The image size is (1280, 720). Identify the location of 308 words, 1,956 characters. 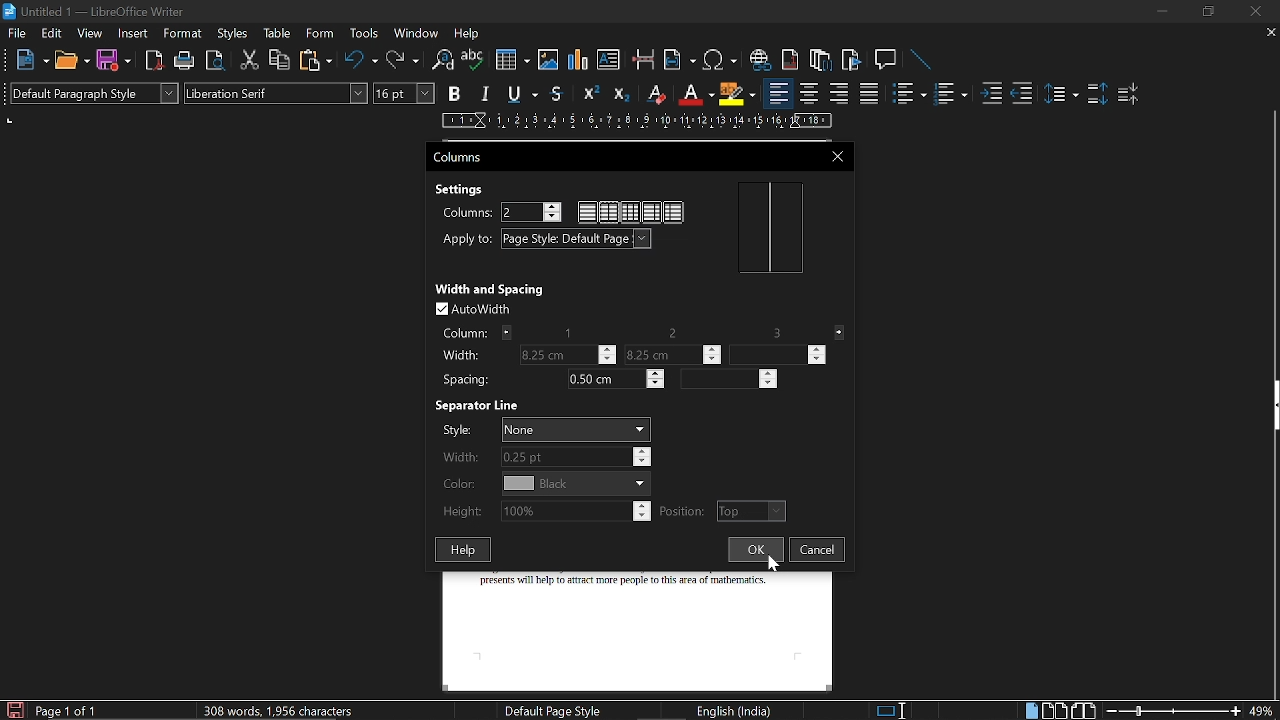
(283, 711).